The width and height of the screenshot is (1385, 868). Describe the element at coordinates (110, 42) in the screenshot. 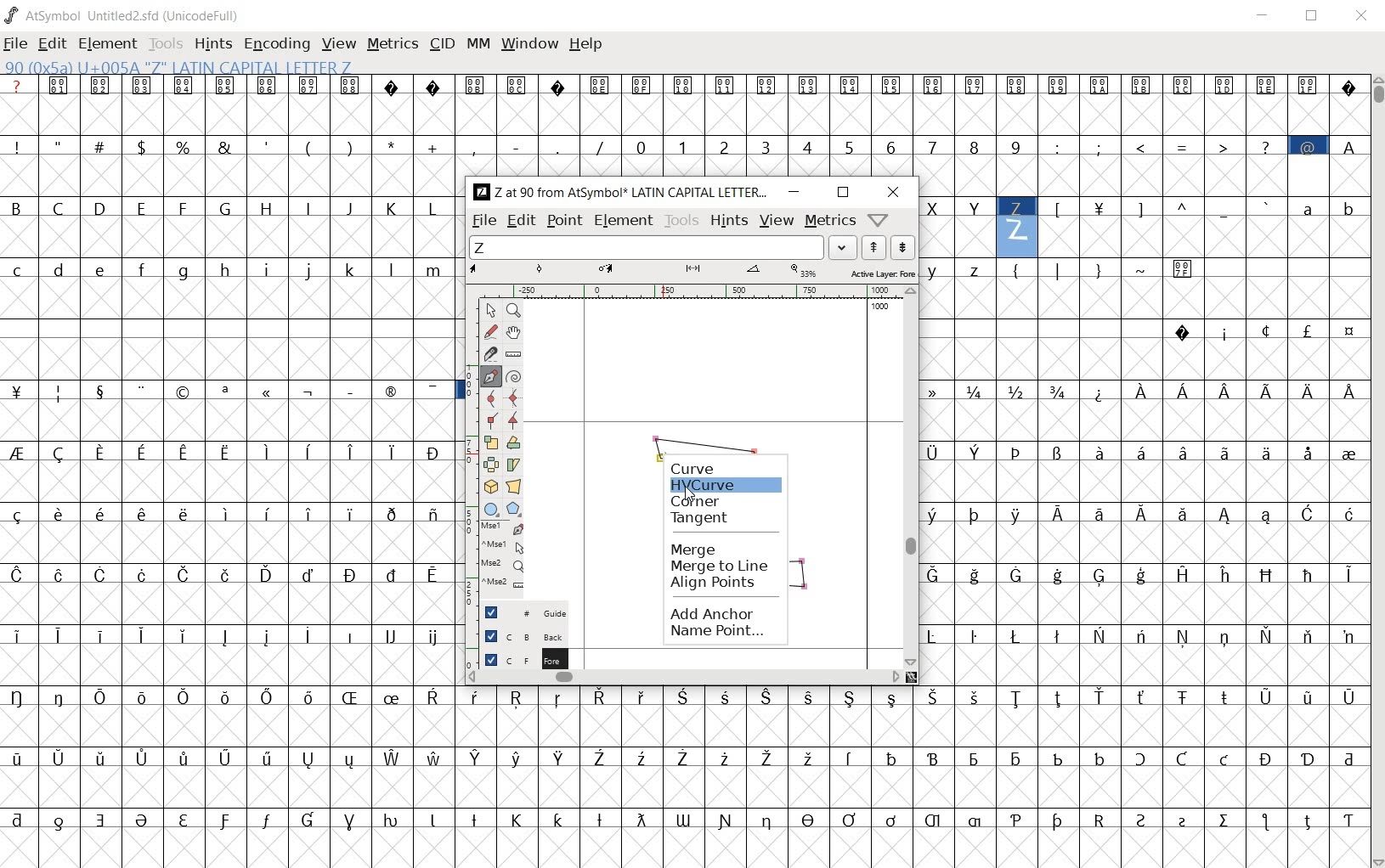

I see `element` at that location.